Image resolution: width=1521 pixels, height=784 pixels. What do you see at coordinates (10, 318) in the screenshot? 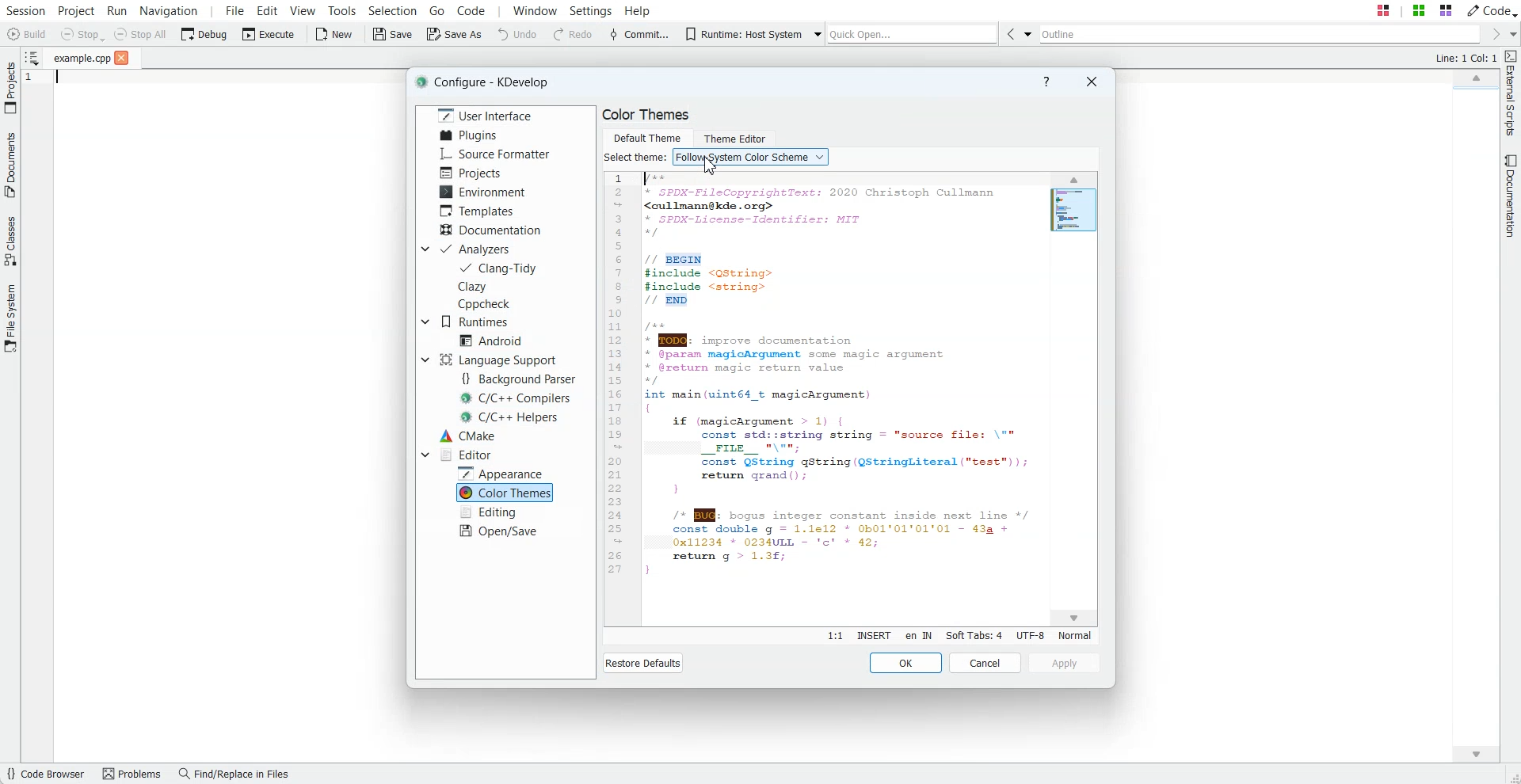
I see `File System` at bounding box center [10, 318].